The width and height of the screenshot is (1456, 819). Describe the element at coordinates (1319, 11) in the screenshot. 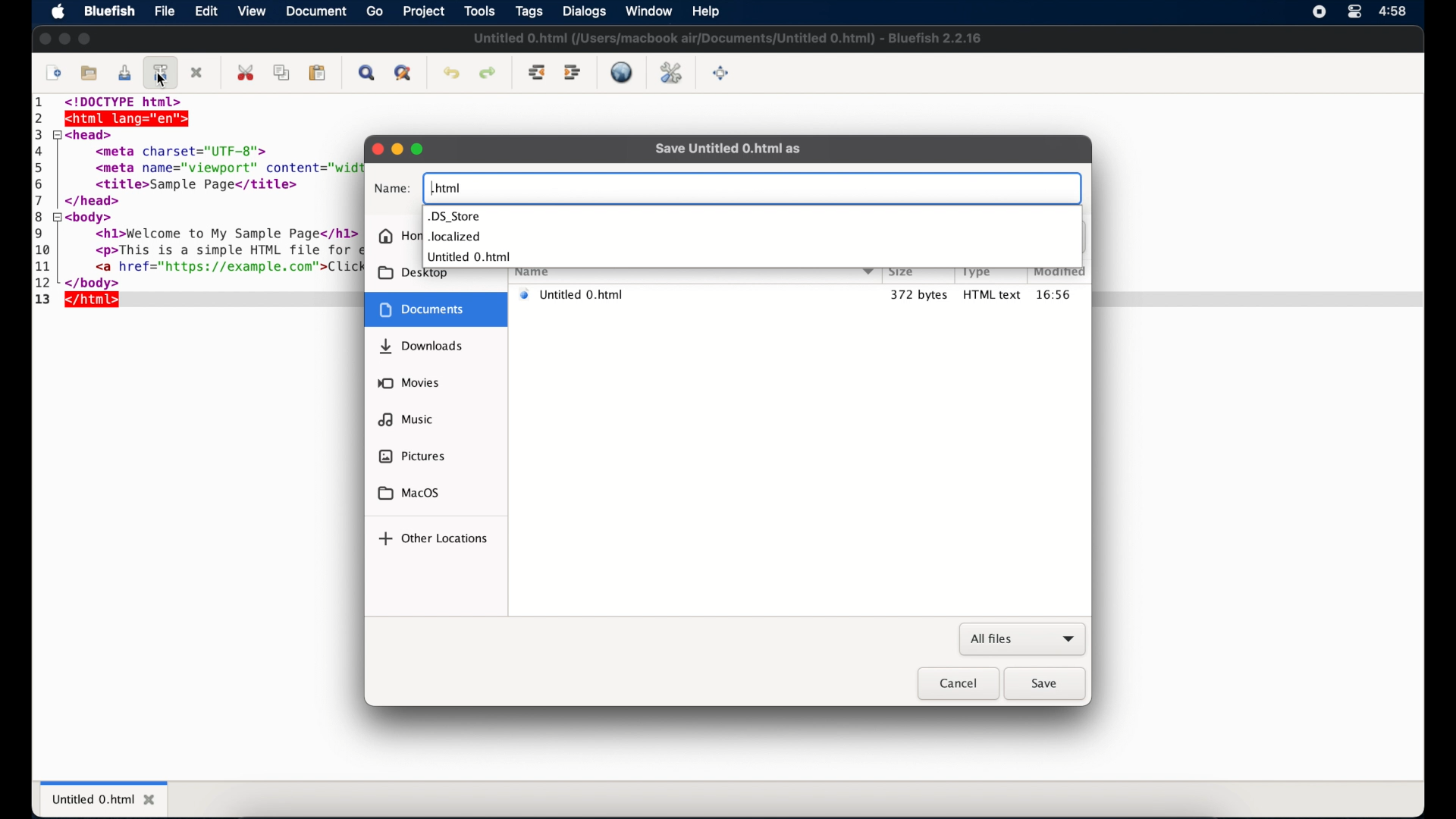

I see `screen recorder icon` at that location.